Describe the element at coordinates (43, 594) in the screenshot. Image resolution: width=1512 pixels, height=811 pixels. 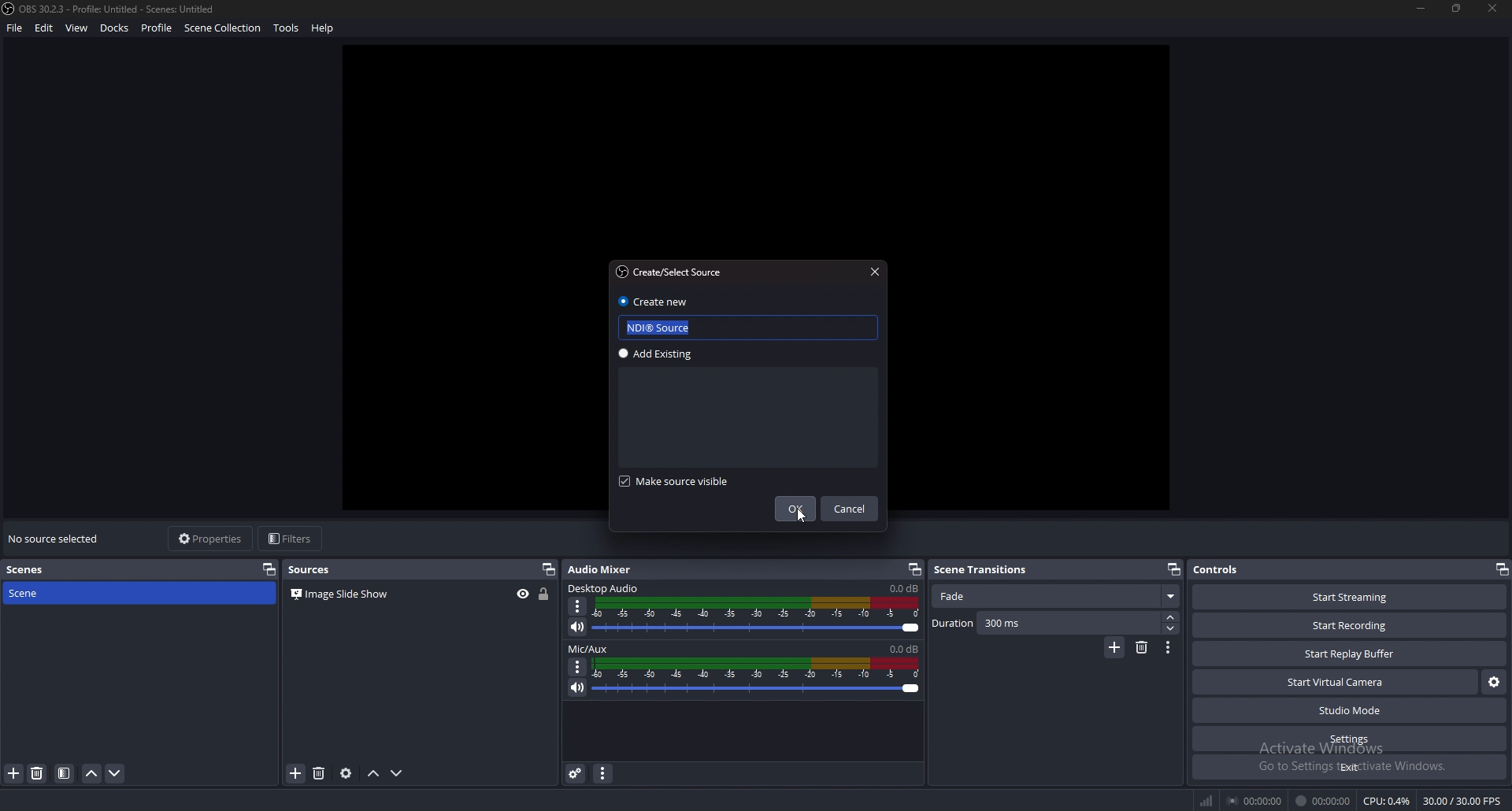
I see `scene` at that location.